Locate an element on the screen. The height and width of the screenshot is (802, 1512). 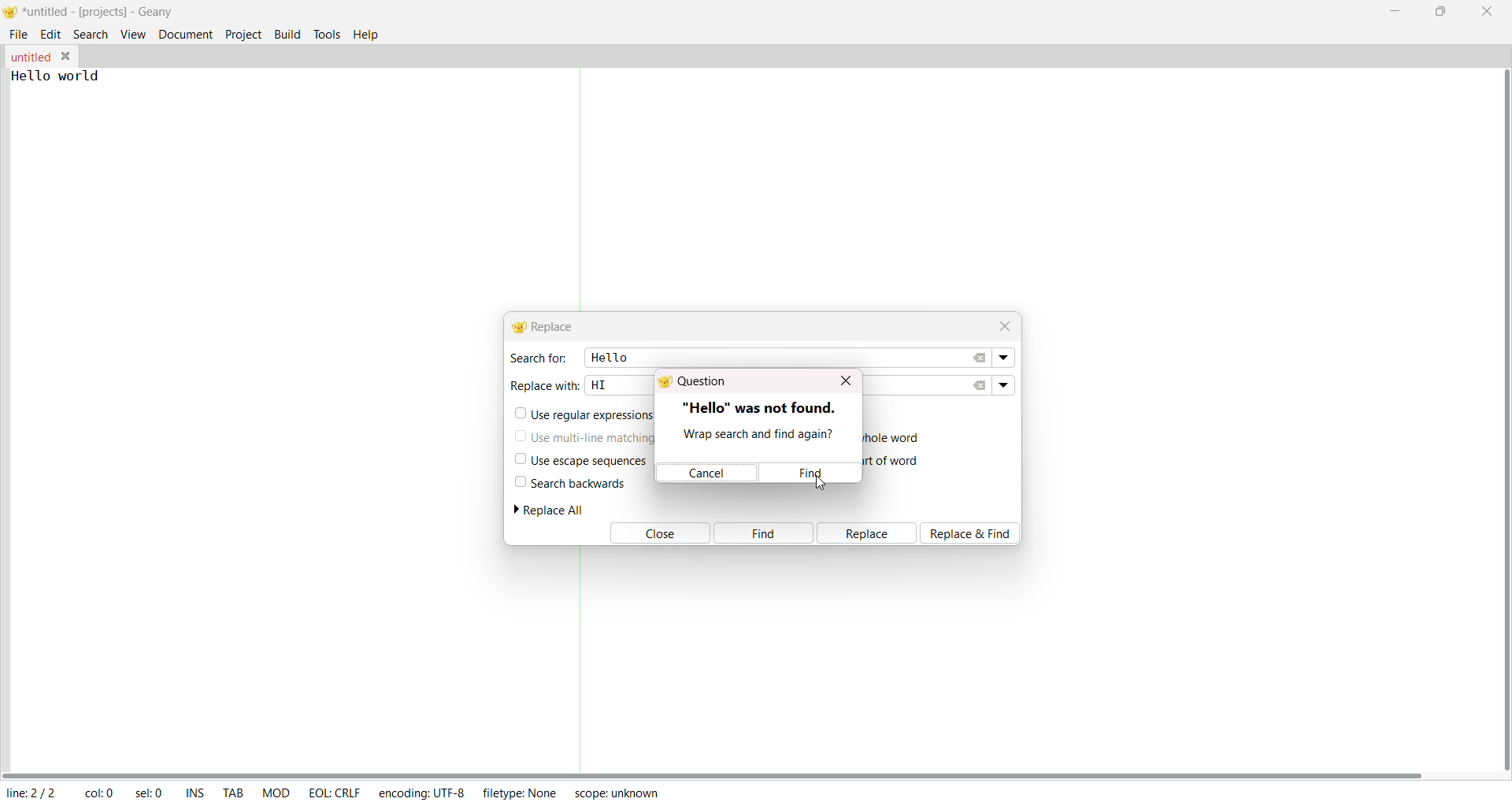
logo is located at coordinates (10, 13).